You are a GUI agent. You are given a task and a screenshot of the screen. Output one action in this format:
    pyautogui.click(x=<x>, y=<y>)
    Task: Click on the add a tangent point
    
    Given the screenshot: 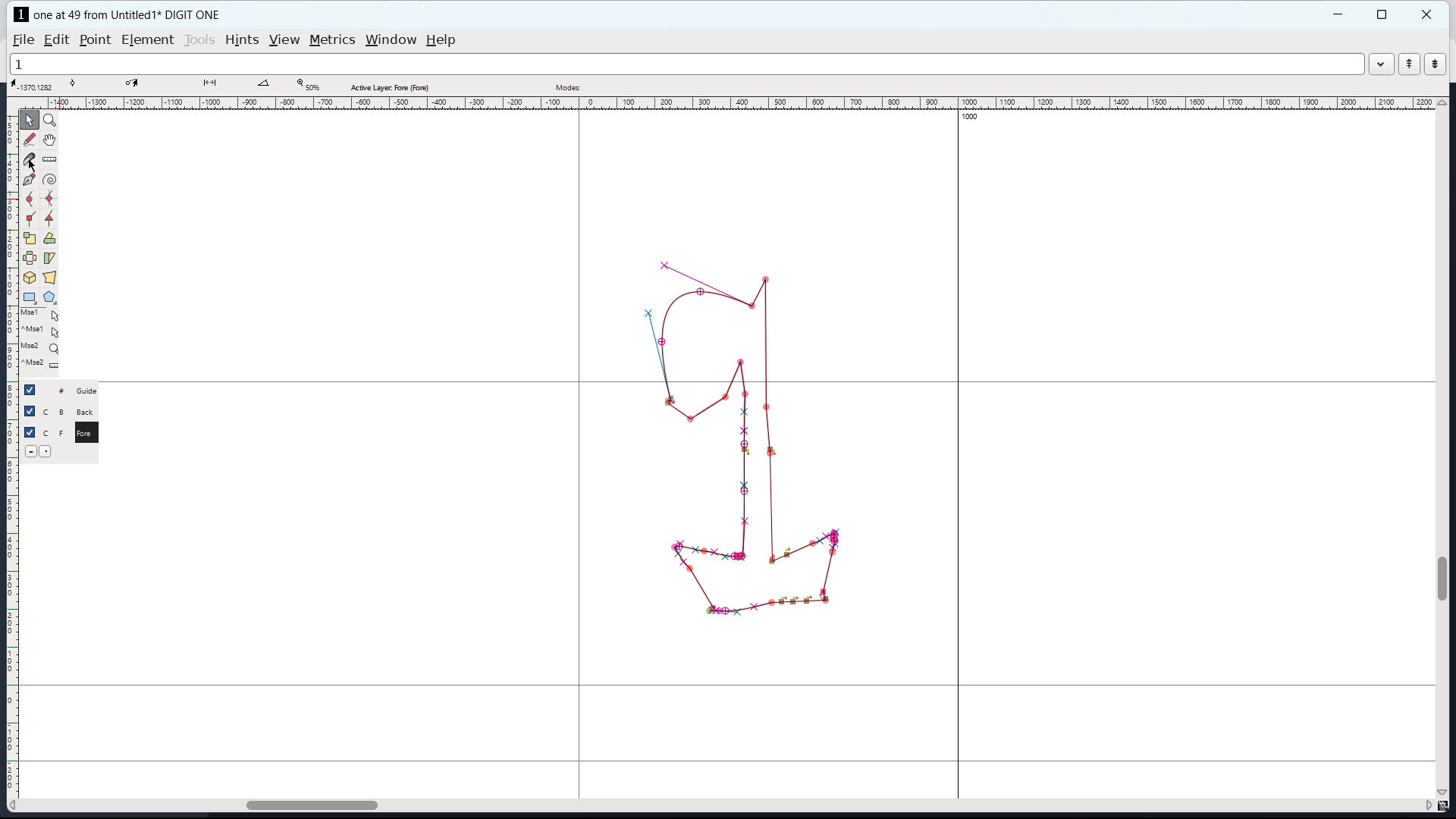 What is the action you would take?
    pyautogui.click(x=51, y=218)
    